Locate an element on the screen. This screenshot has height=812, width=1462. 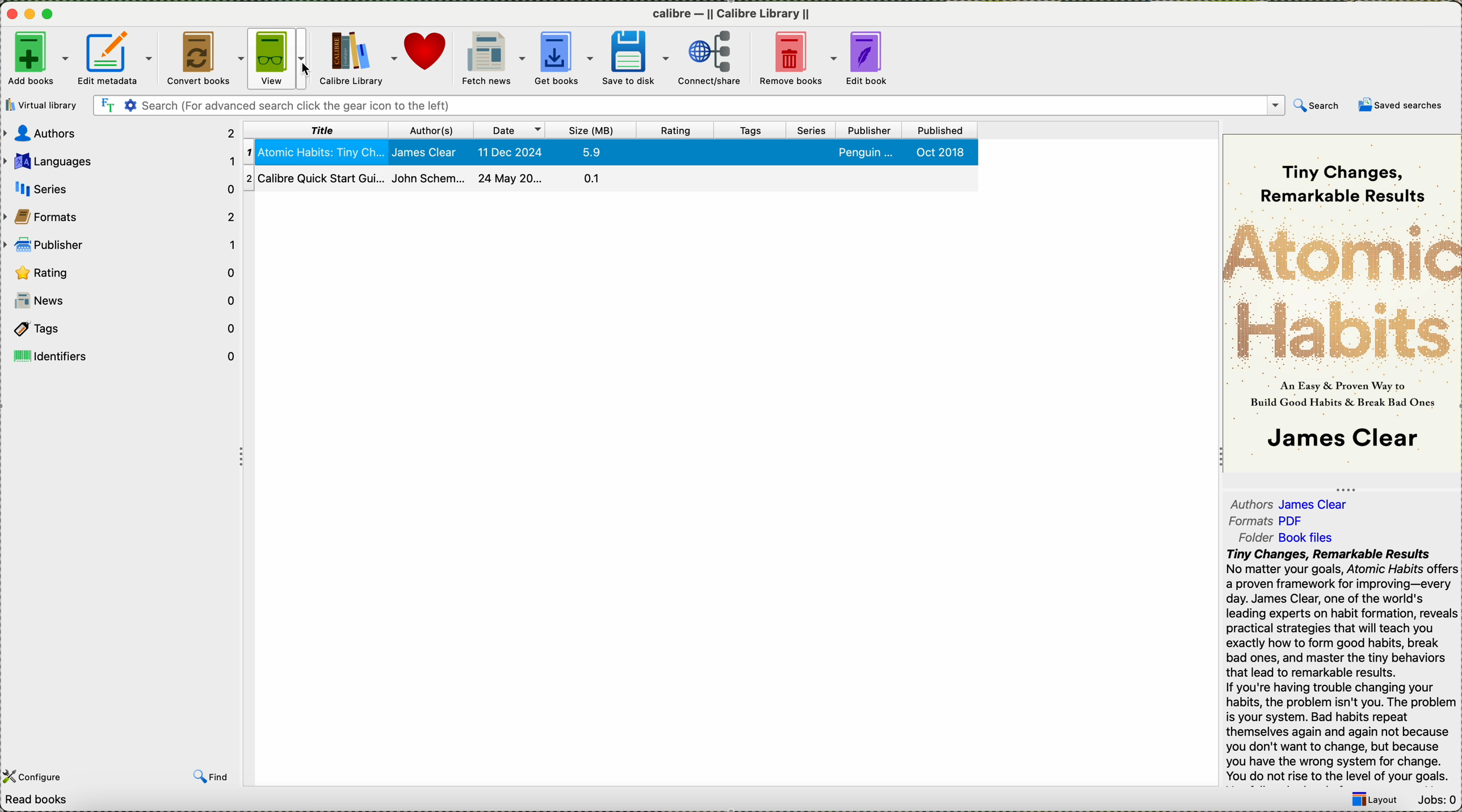
rating is located at coordinates (121, 271).